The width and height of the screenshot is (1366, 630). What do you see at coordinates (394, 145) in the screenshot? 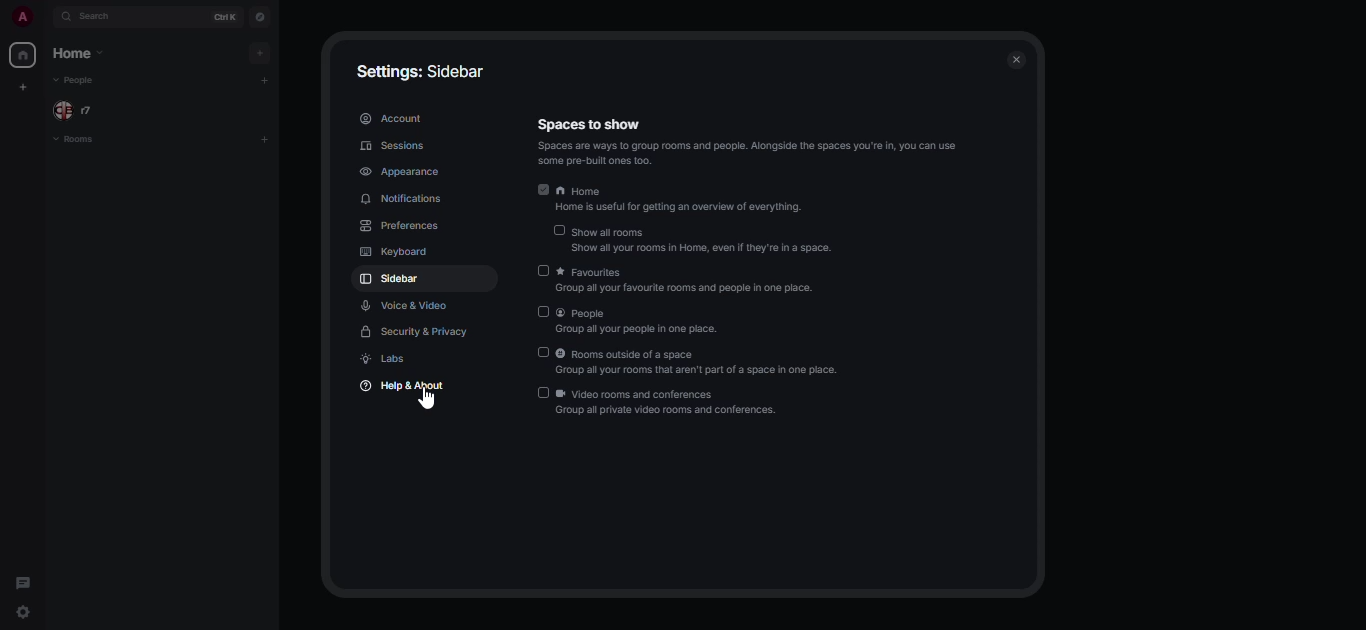
I see `sessions` at bounding box center [394, 145].